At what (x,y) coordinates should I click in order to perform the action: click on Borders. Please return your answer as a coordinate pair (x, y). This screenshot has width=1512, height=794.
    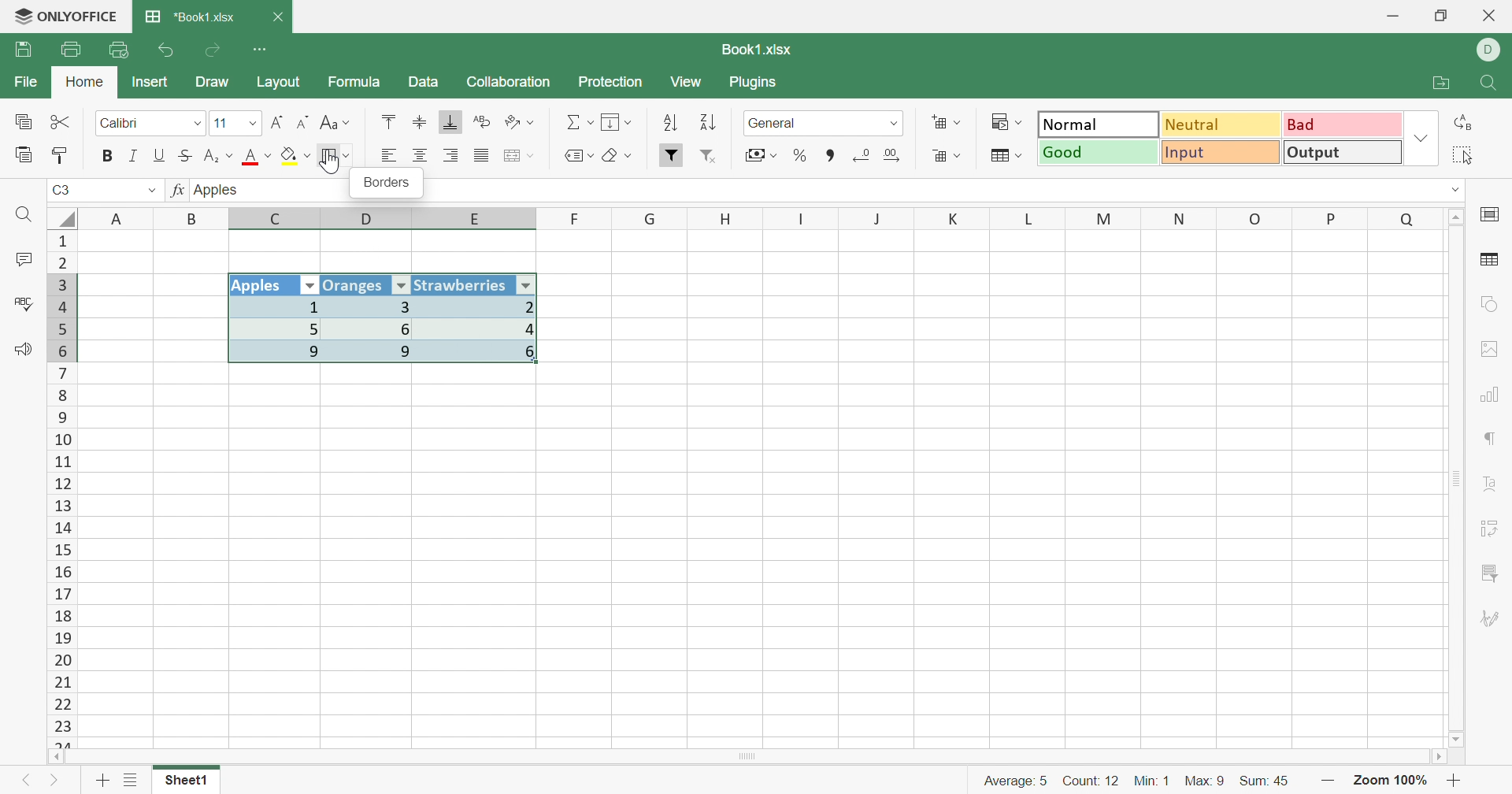
    Looking at the image, I should click on (336, 156).